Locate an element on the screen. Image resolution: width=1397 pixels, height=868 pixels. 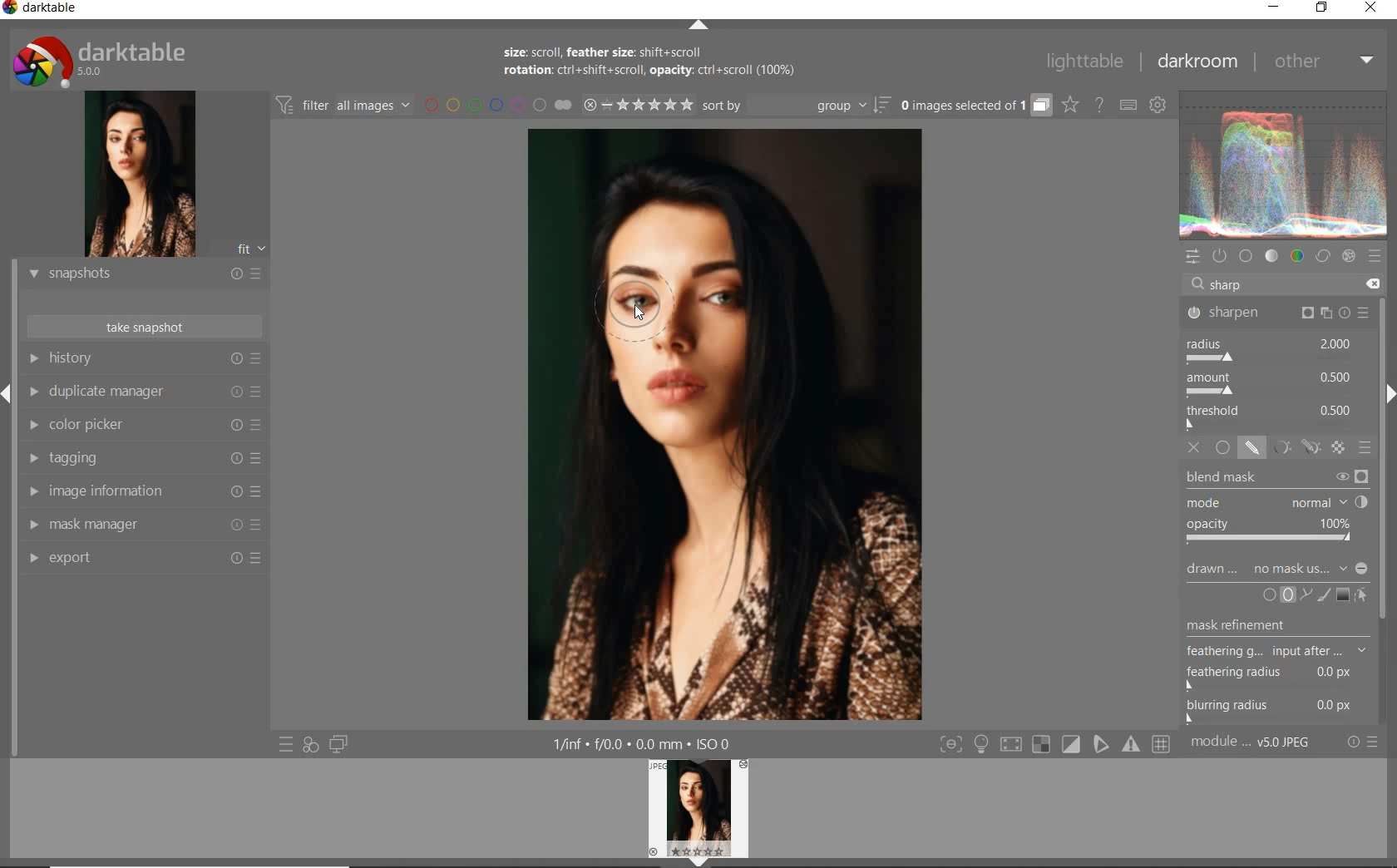
Preview color is located at coordinates (1284, 162).